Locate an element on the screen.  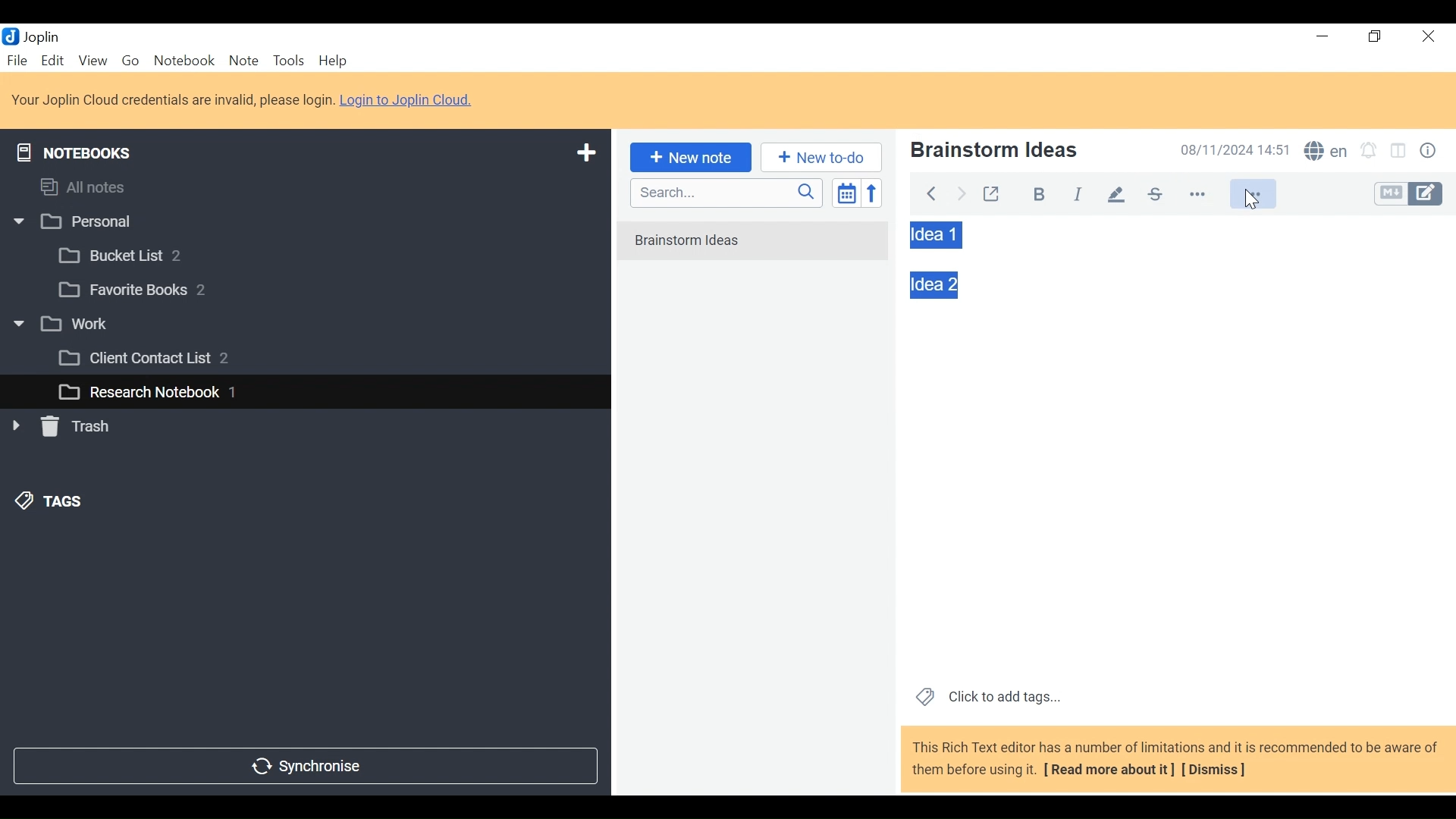
Add New Notebook is located at coordinates (585, 153).